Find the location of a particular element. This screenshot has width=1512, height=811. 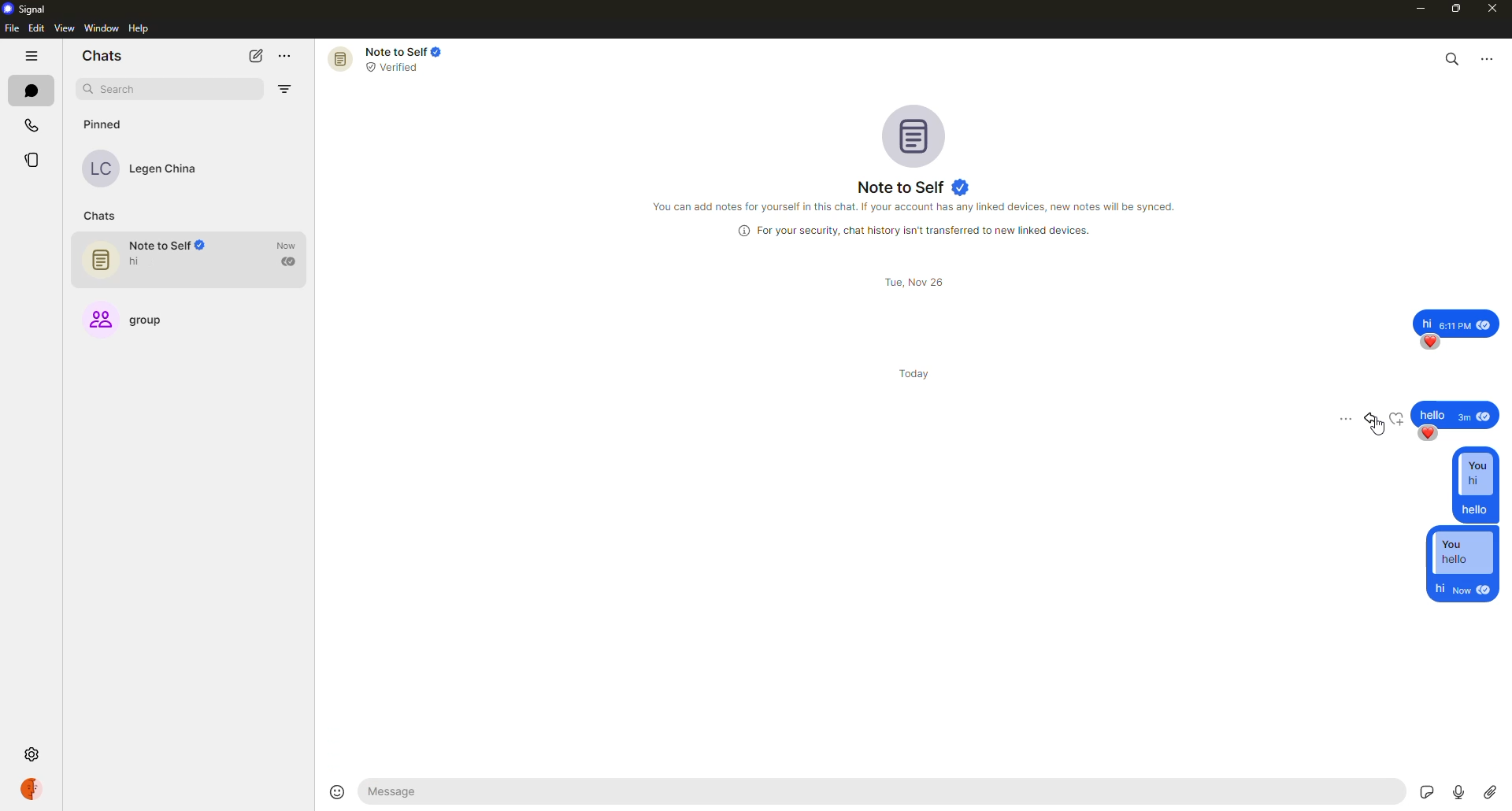

hello is located at coordinates (407, 791).